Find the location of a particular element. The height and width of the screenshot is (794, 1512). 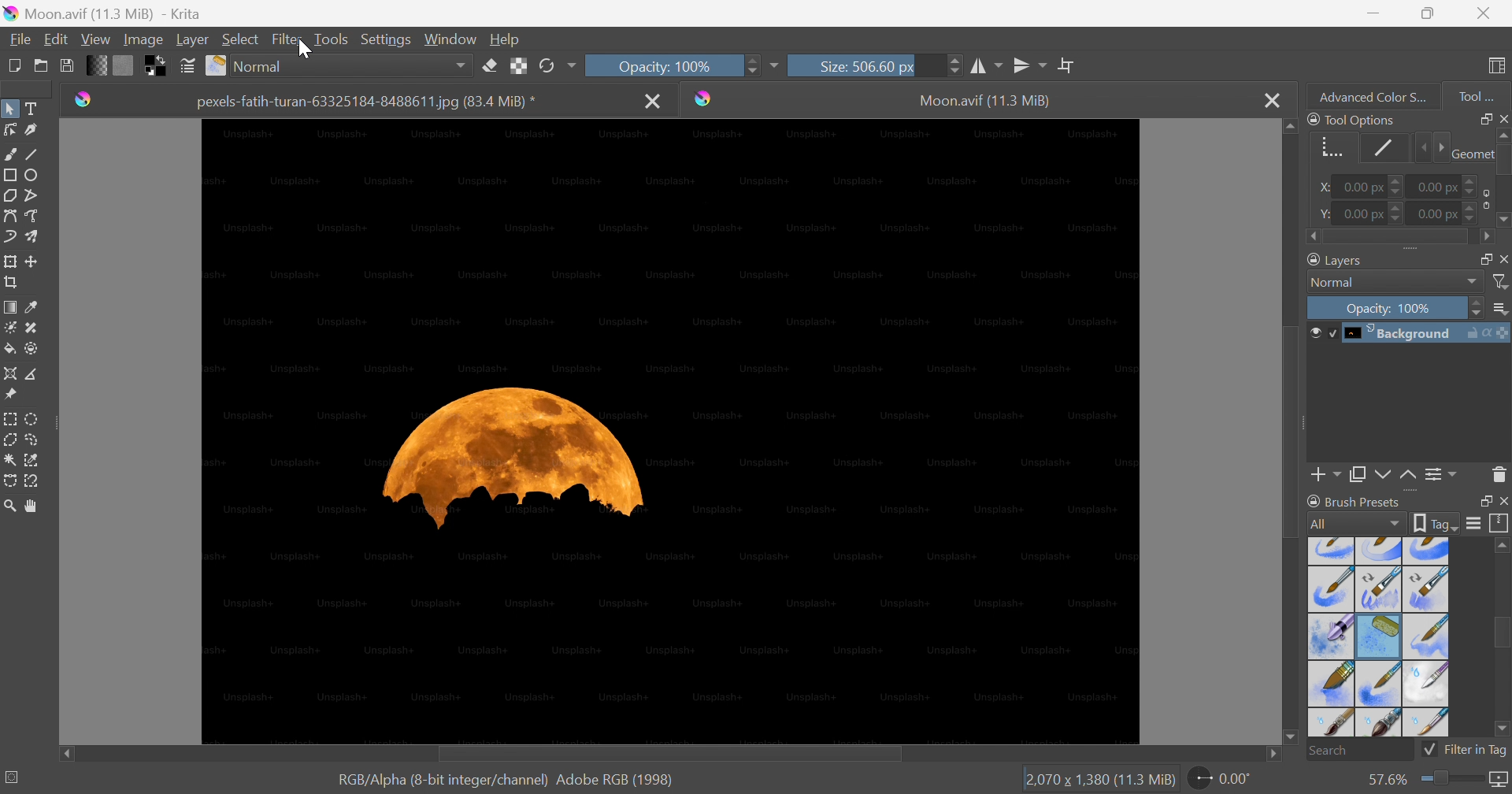

Measure the distance between two points is located at coordinates (33, 373).